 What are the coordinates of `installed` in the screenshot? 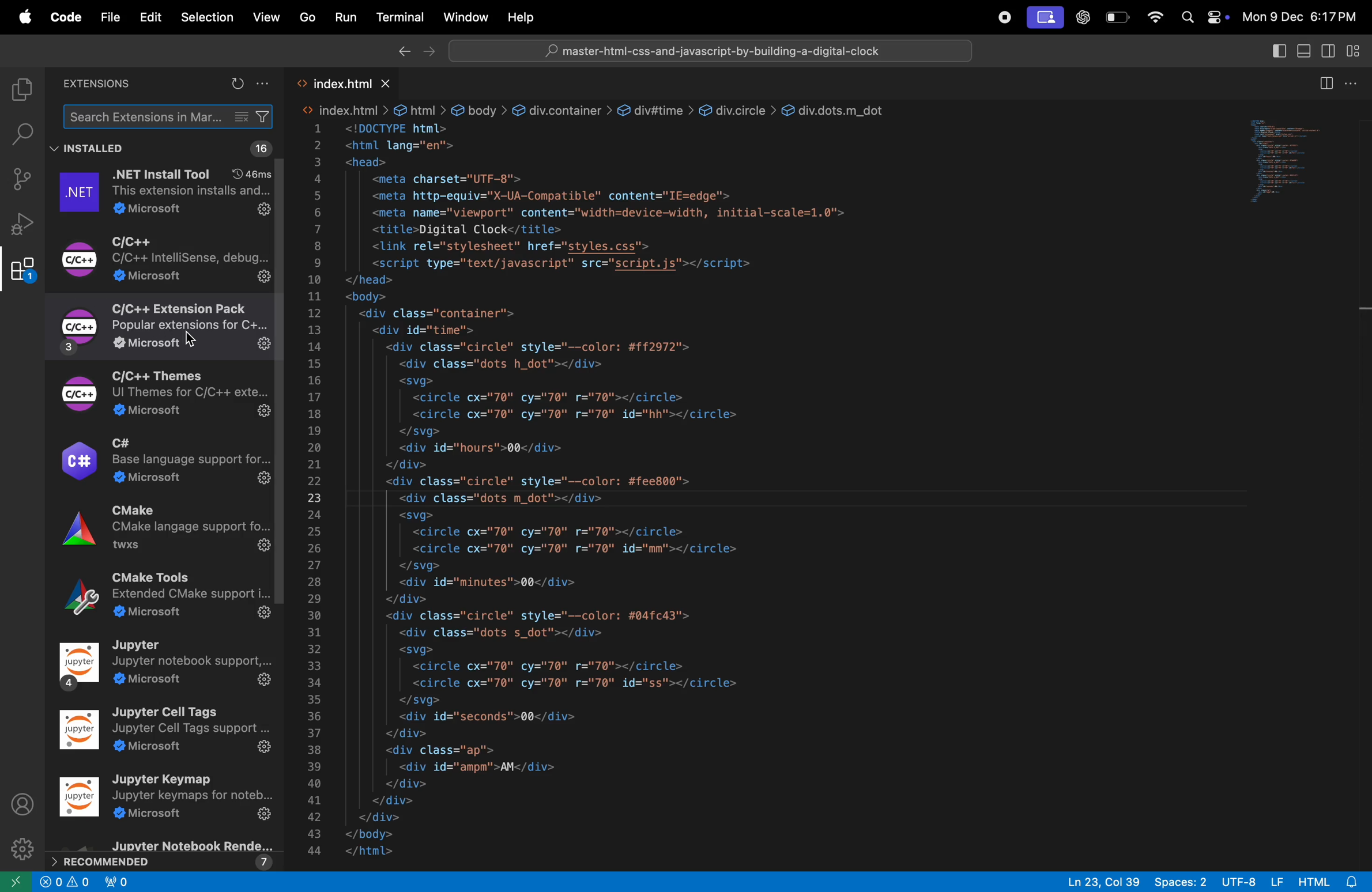 It's located at (93, 149).